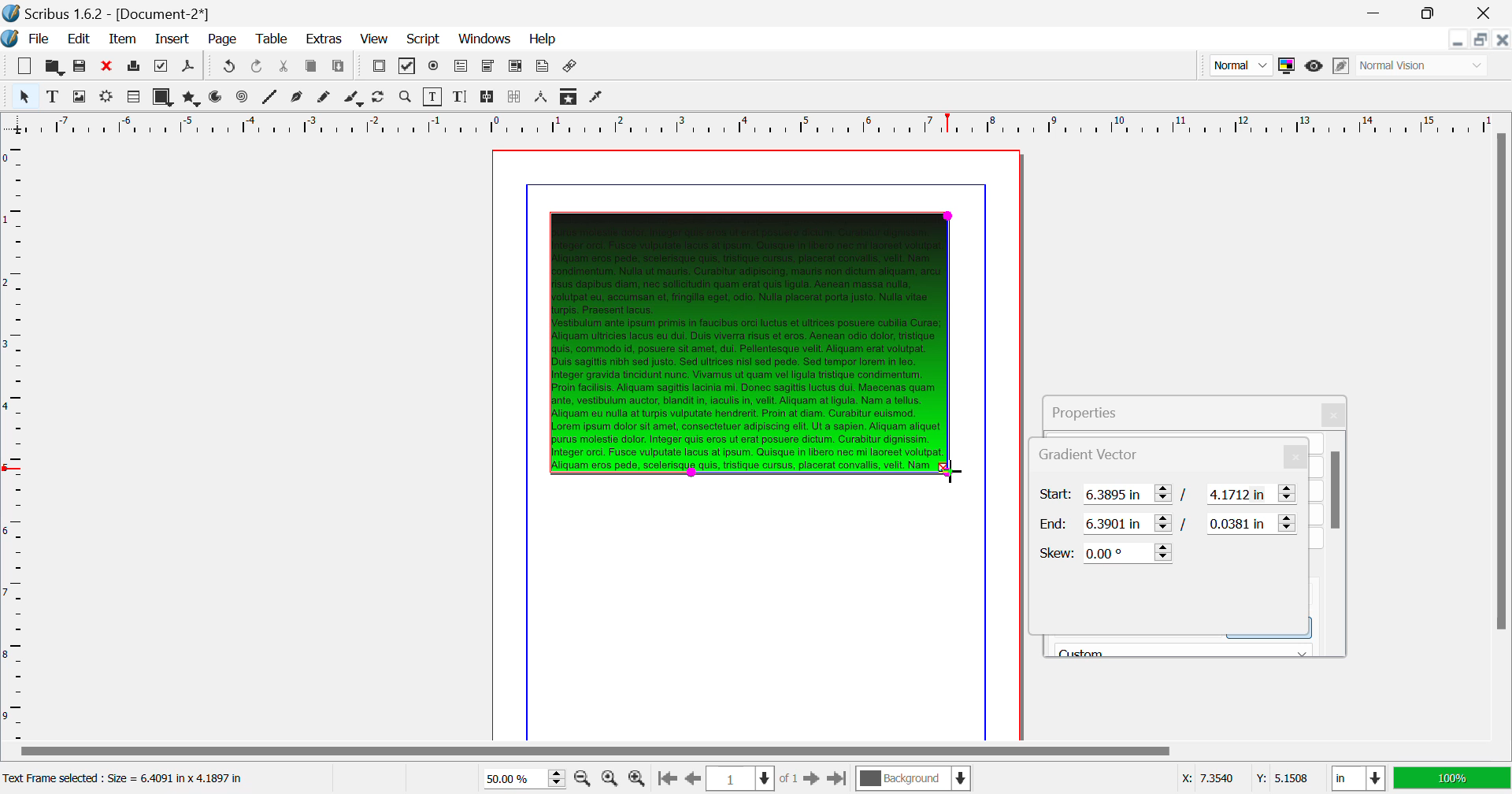 The width and height of the screenshot is (1512, 794). What do you see at coordinates (1314, 68) in the screenshot?
I see `Preview Mode` at bounding box center [1314, 68].